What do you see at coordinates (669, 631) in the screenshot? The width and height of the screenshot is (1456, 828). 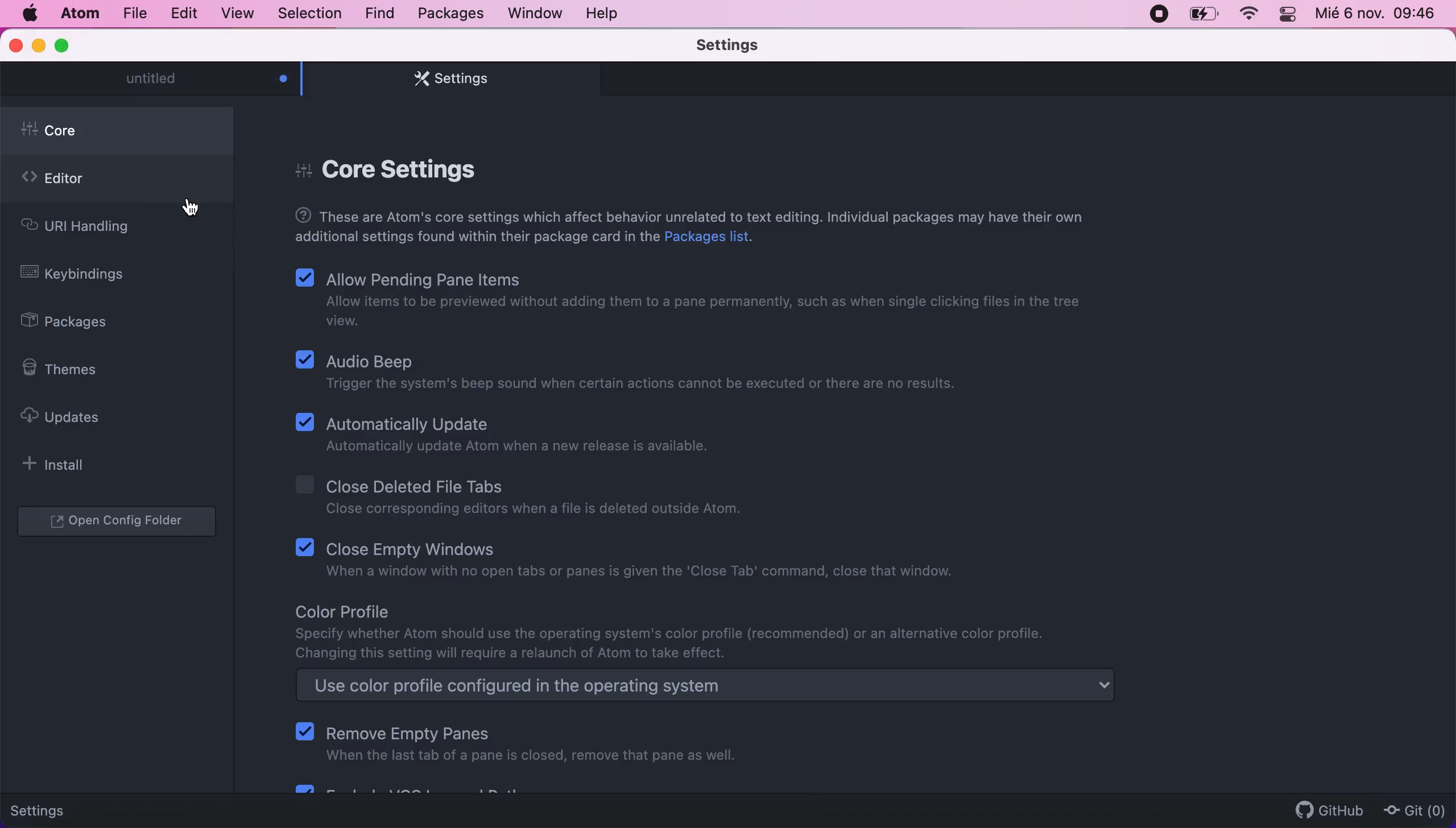 I see `Color Profile
Specify whether Atom should use the operating system's color profile (recommended) or an alternative color profile.
Changing this setting will require a relaunch of Atom to take effect.` at bounding box center [669, 631].